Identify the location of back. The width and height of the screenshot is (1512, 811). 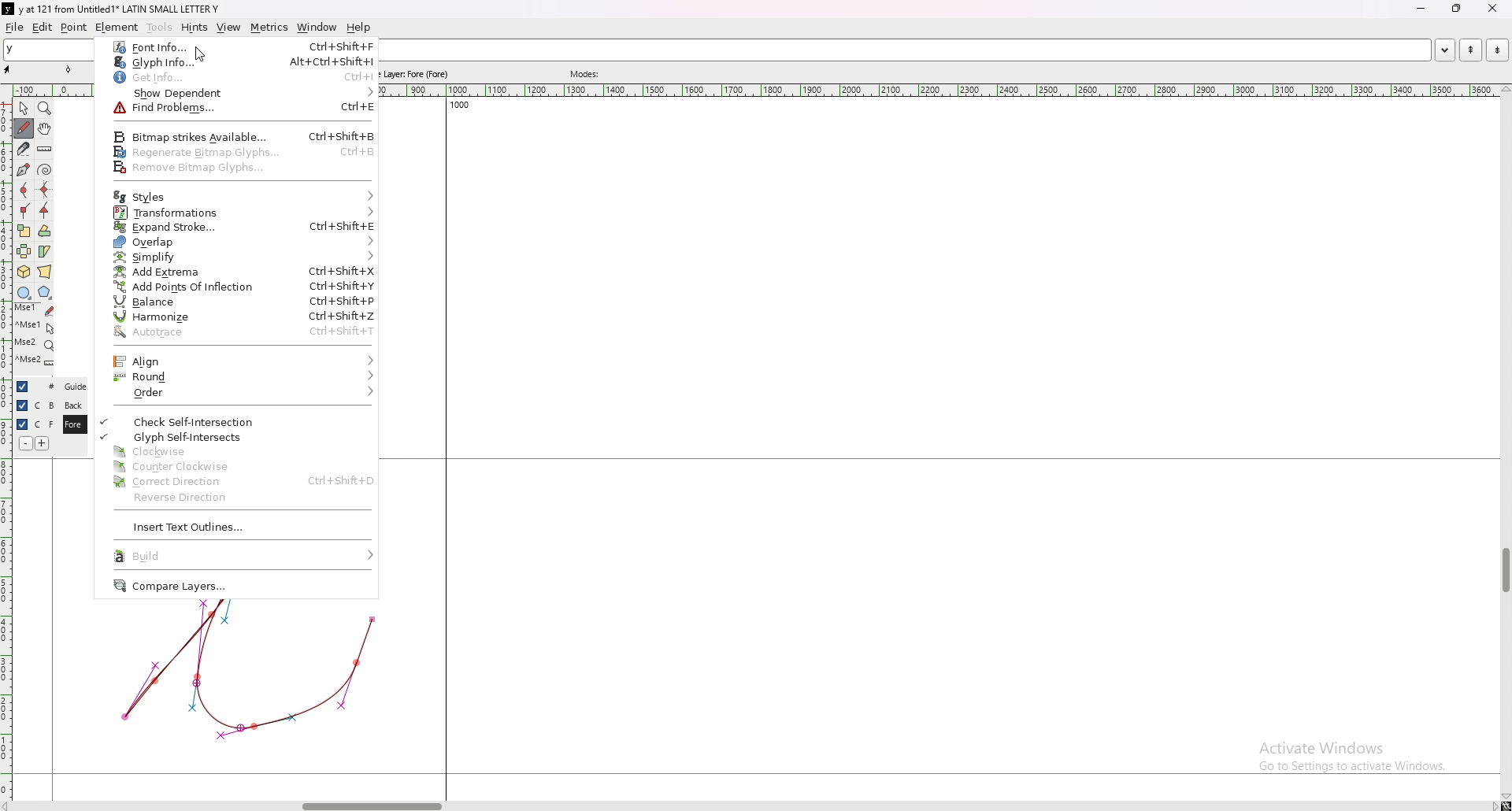
(73, 405).